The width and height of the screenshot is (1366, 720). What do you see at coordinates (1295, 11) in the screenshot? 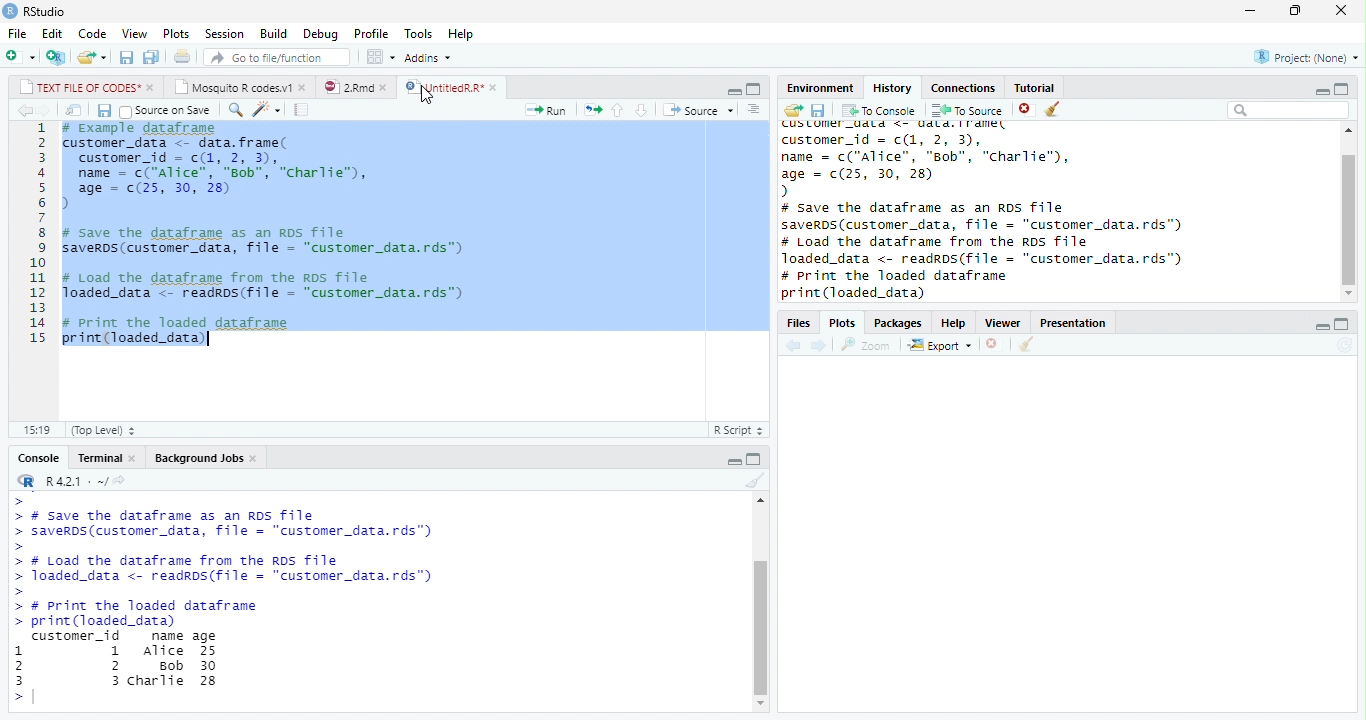
I see `restore` at bounding box center [1295, 11].